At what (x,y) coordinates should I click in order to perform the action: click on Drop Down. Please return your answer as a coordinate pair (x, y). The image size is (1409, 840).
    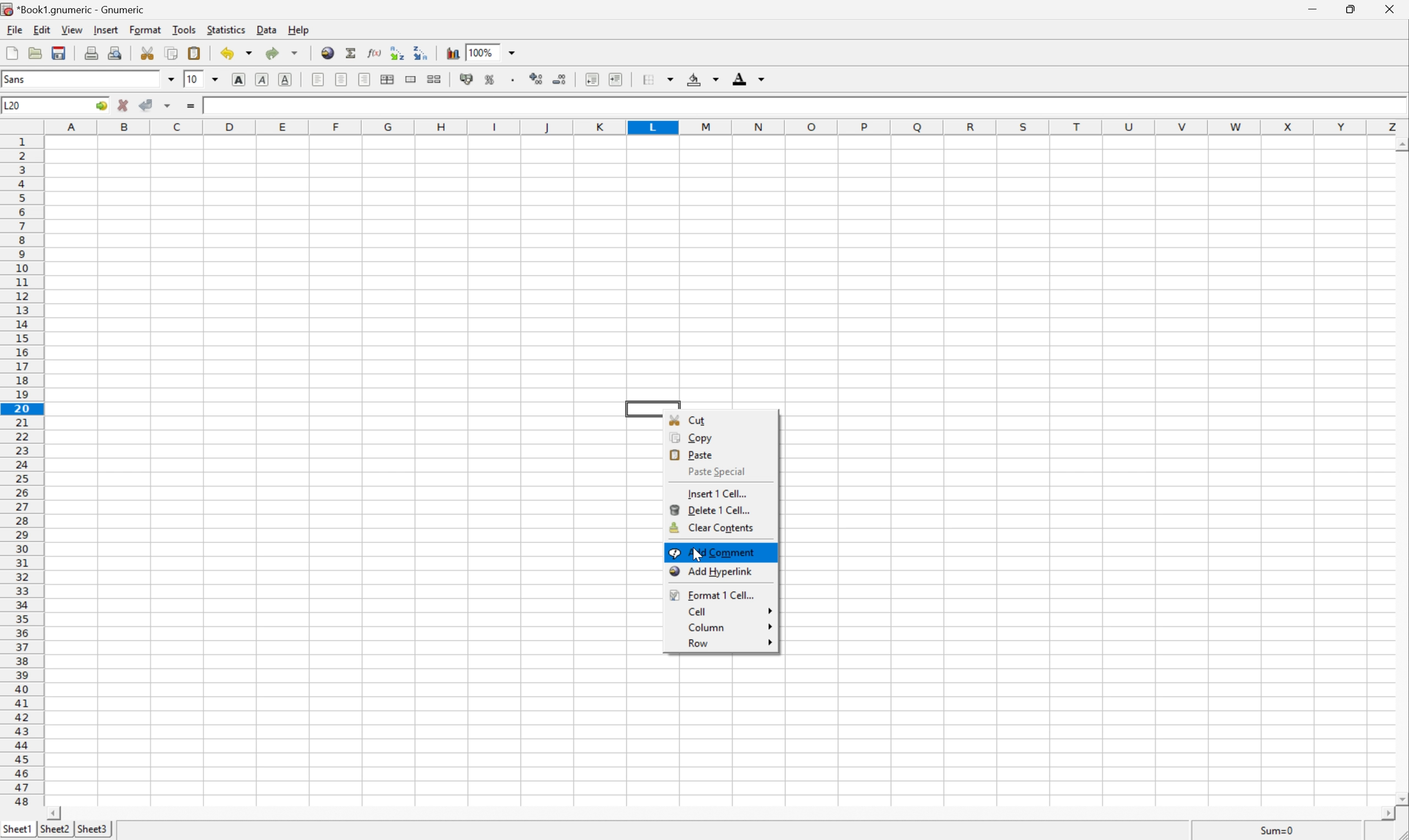
    Looking at the image, I should click on (215, 79).